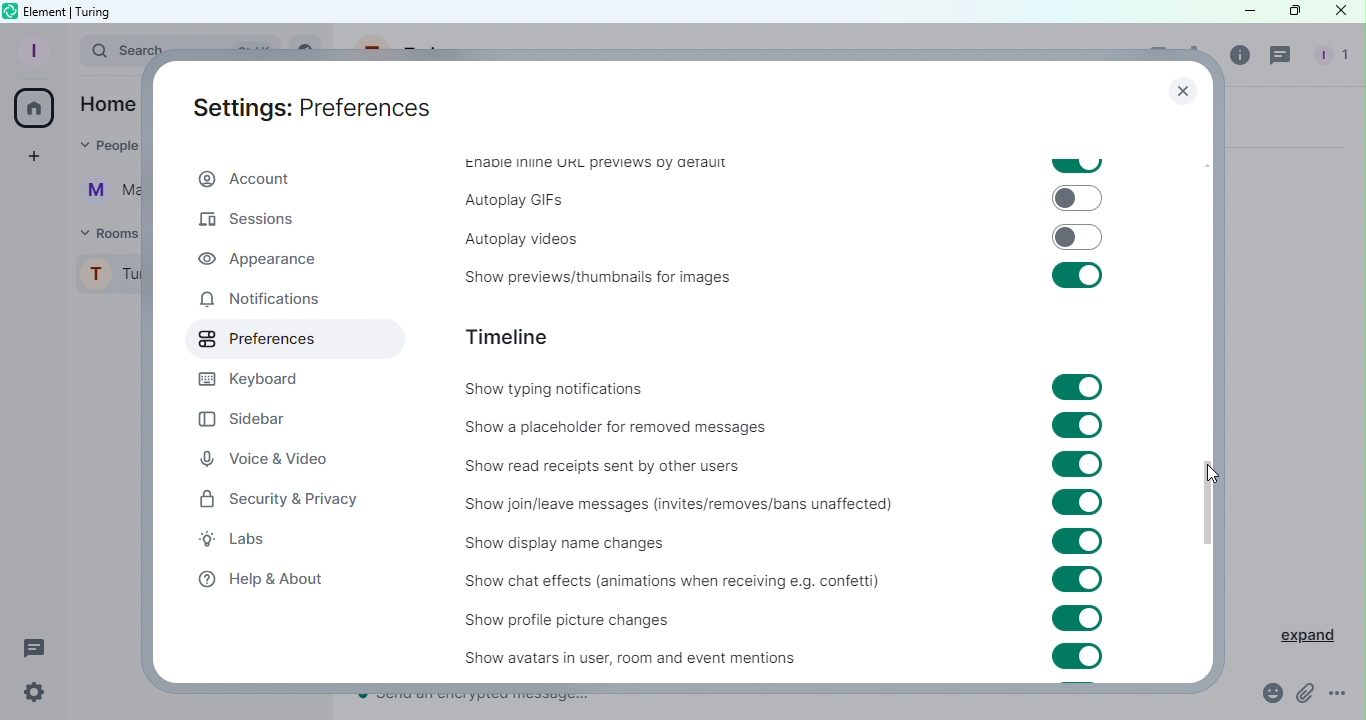 The height and width of the screenshot is (720, 1366). Describe the element at coordinates (106, 232) in the screenshot. I see `Rooms` at that location.